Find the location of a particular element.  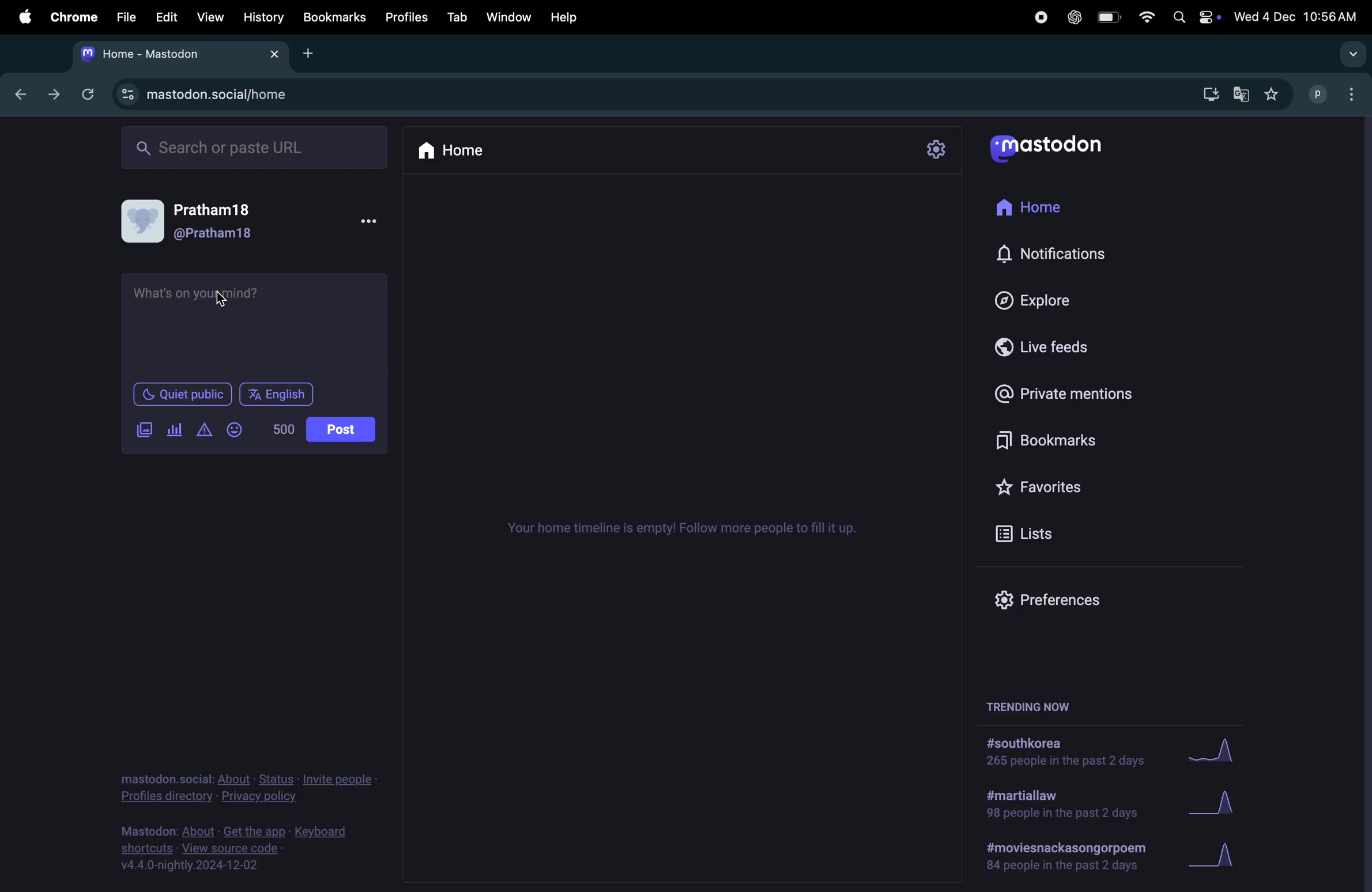

add image is located at coordinates (146, 430).